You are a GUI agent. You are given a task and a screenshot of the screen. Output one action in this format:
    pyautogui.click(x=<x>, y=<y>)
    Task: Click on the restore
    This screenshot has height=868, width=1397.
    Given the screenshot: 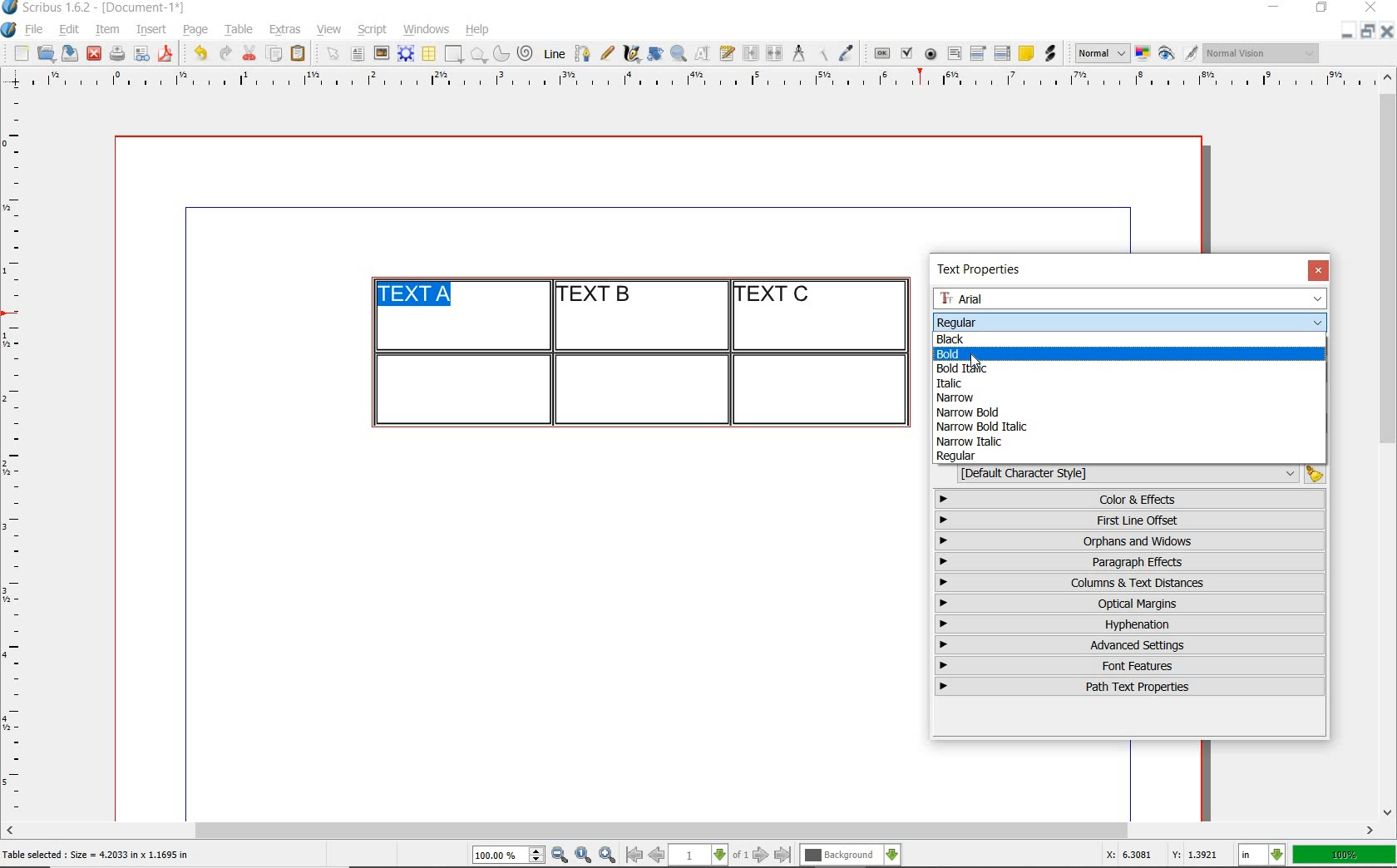 What is the action you would take?
    pyautogui.click(x=1368, y=30)
    